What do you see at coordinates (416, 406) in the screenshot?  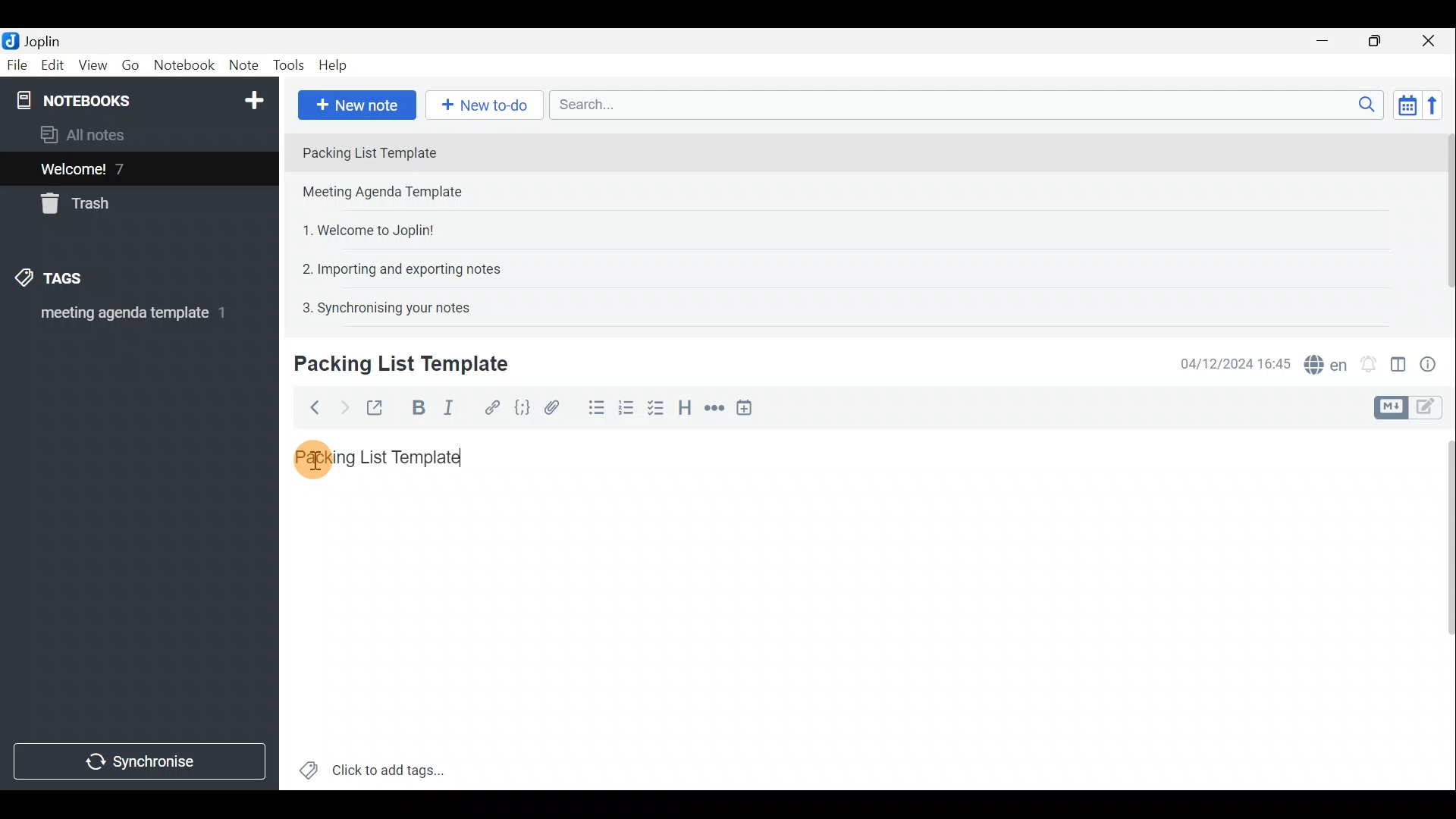 I see `Bold` at bounding box center [416, 406].